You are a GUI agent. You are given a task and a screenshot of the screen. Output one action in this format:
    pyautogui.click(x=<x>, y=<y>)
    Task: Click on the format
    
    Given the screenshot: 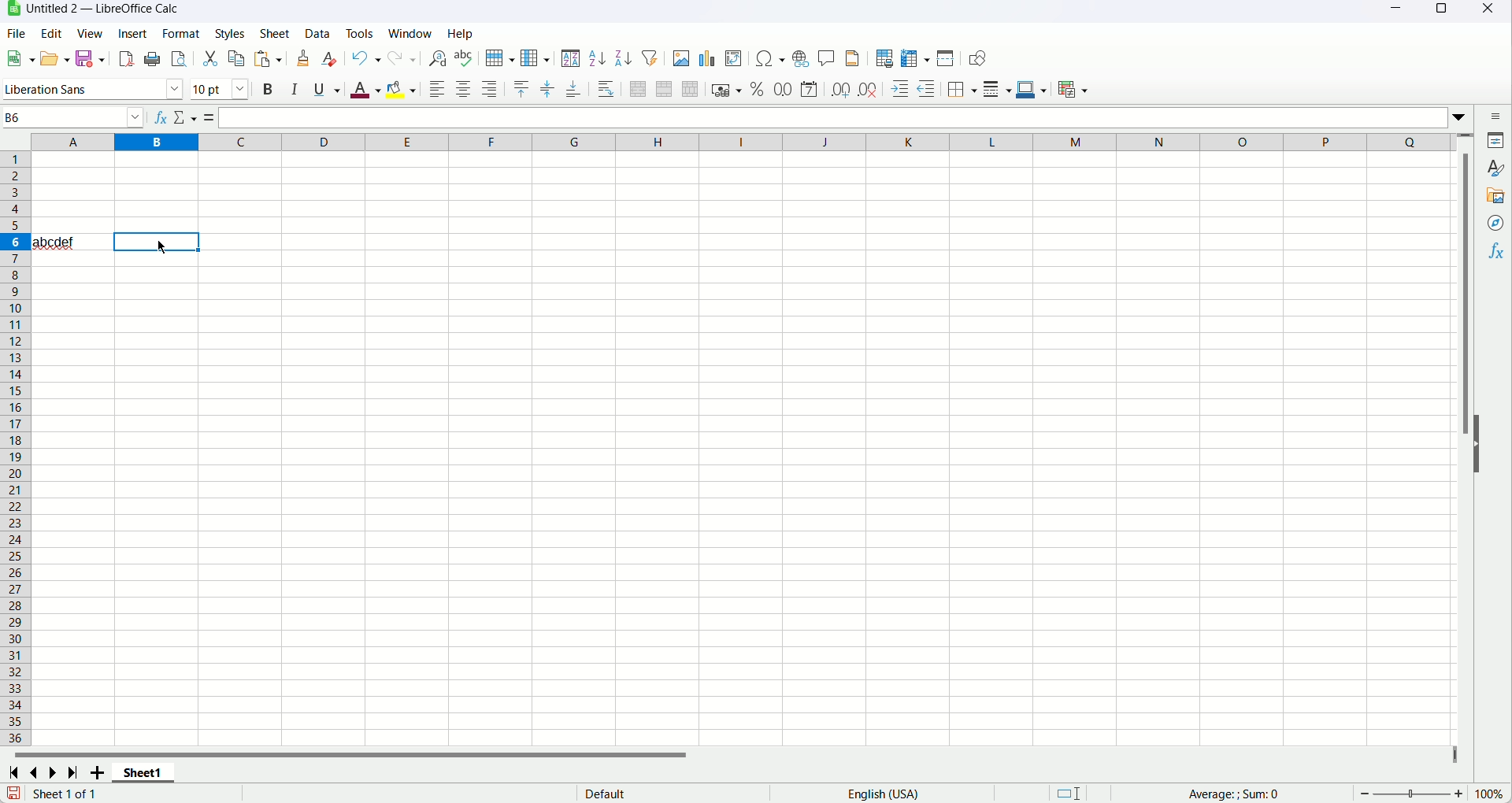 What is the action you would take?
    pyautogui.click(x=180, y=34)
    